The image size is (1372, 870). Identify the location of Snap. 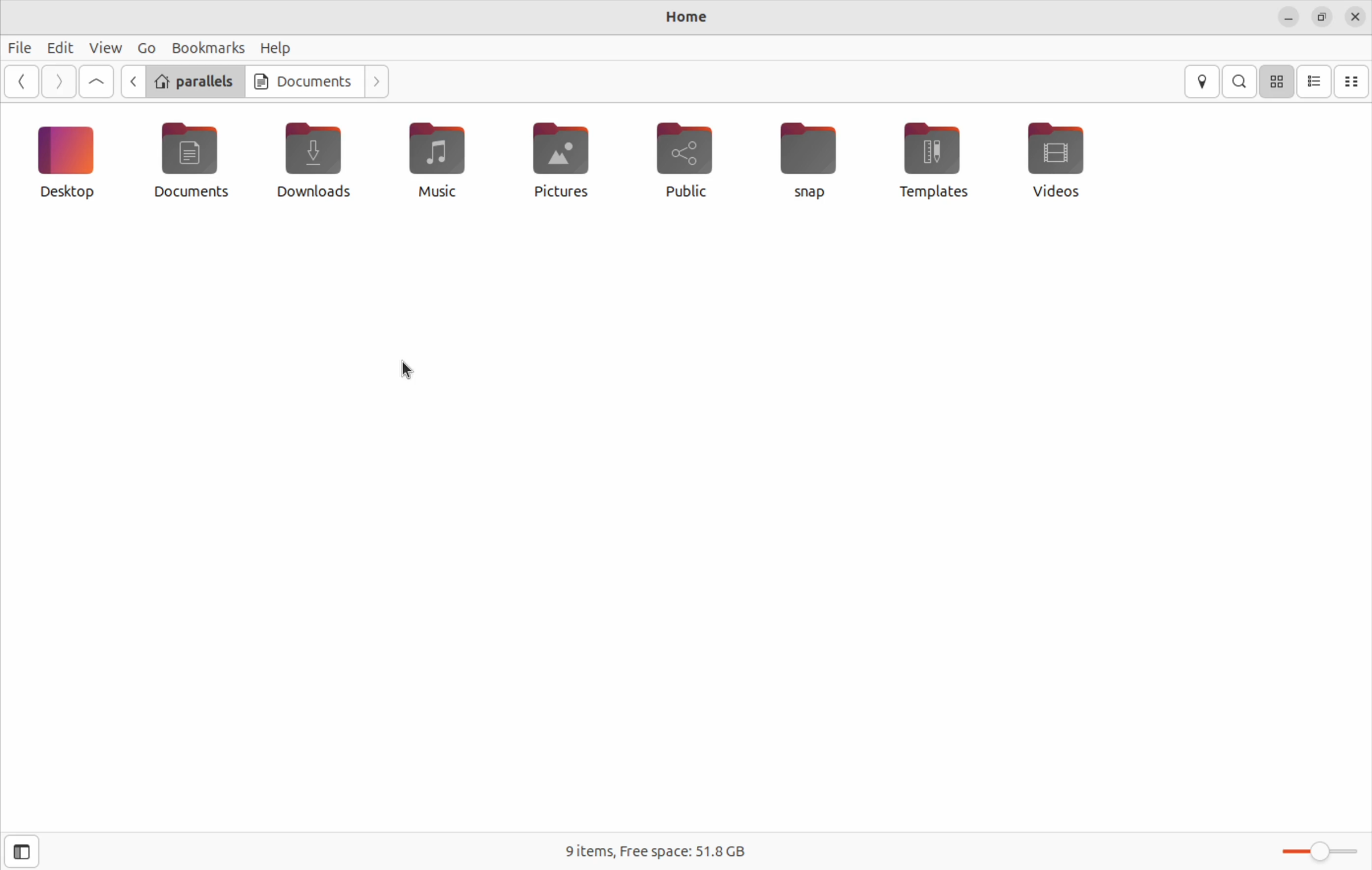
(934, 160).